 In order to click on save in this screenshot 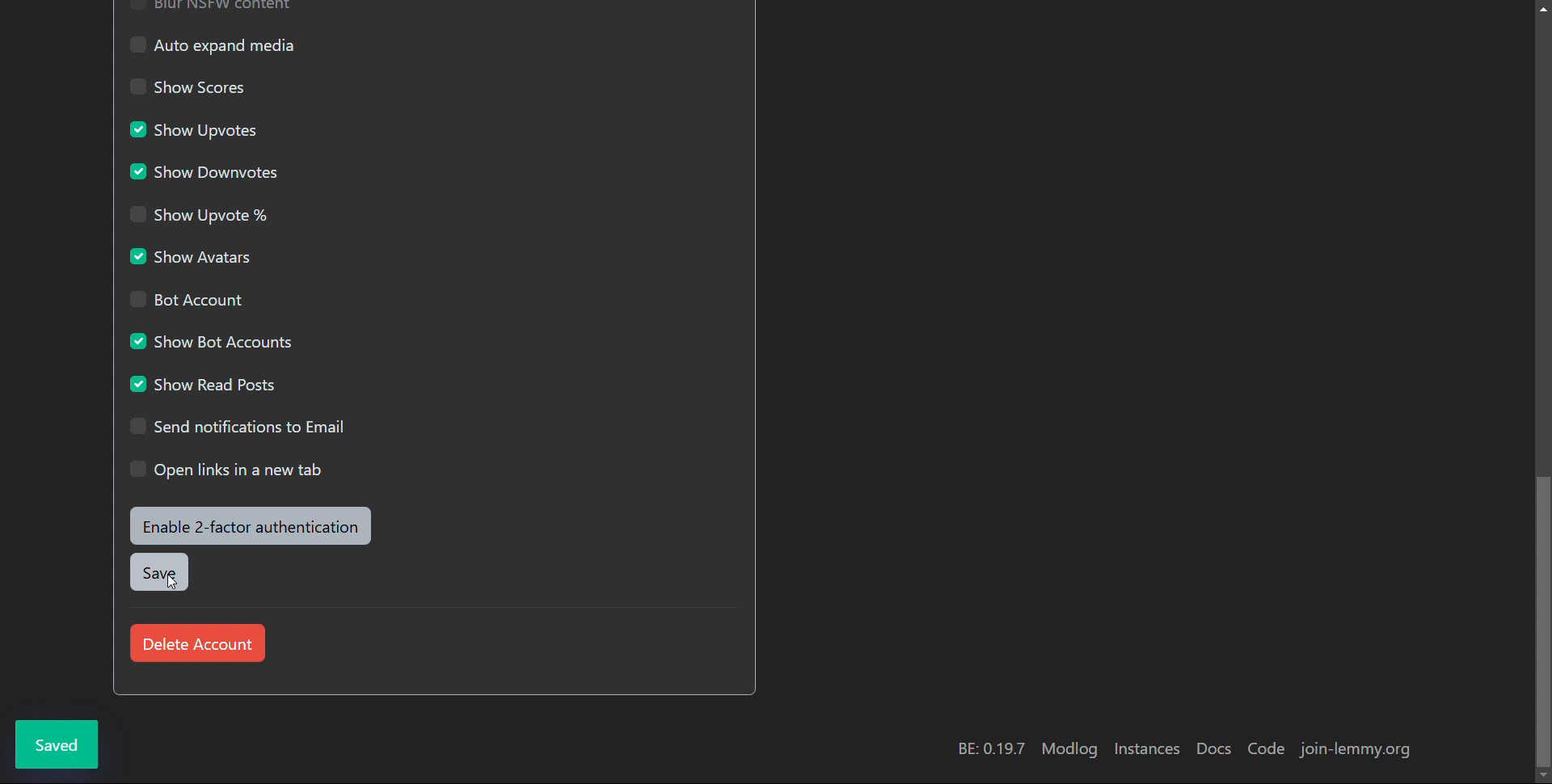, I will do `click(158, 571)`.